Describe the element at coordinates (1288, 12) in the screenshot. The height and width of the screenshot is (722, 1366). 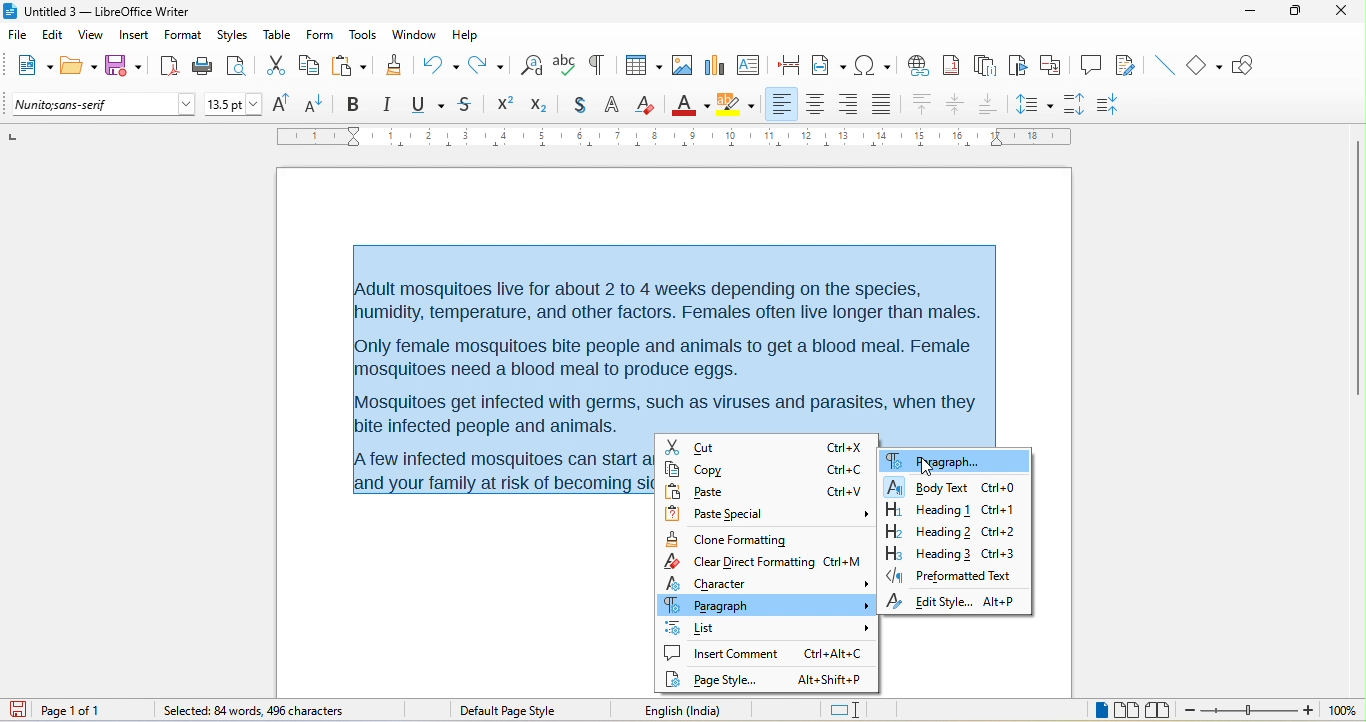
I see `maximize` at that location.